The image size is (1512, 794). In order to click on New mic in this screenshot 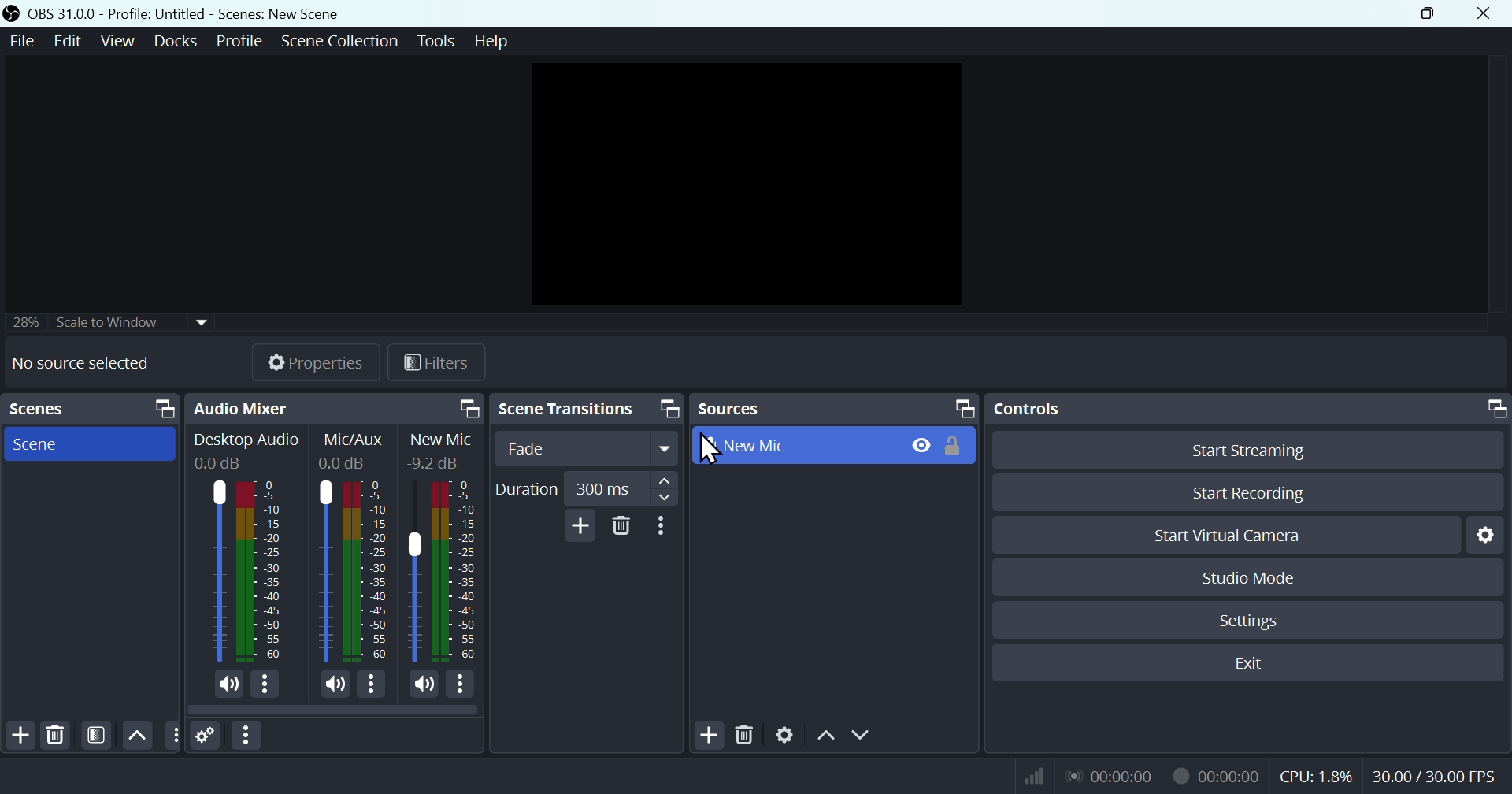, I will do `click(81, 365)`.